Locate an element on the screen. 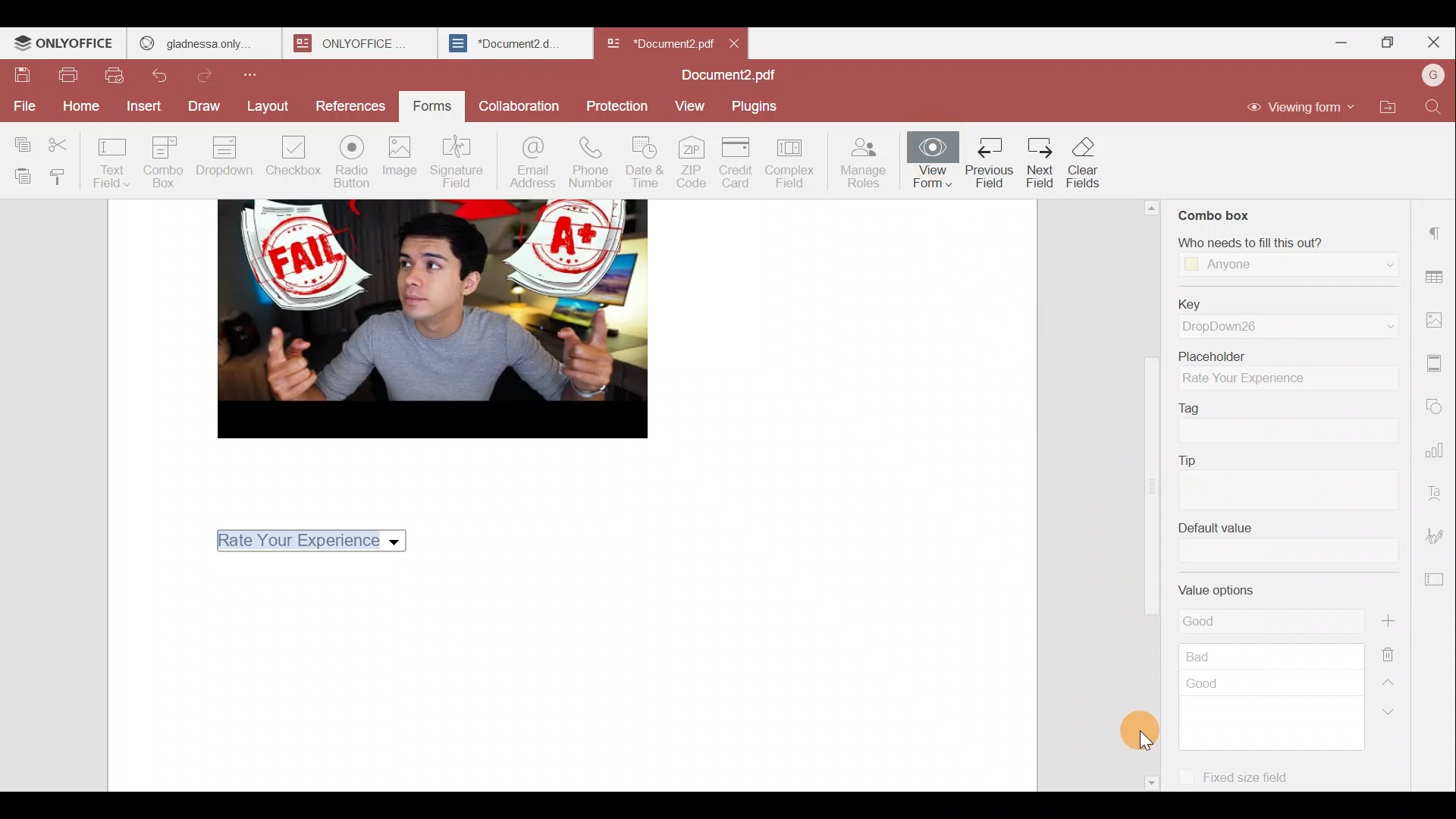 Image resolution: width=1456 pixels, height=819 pixels. Date & time is located at coordinates (645, 165).